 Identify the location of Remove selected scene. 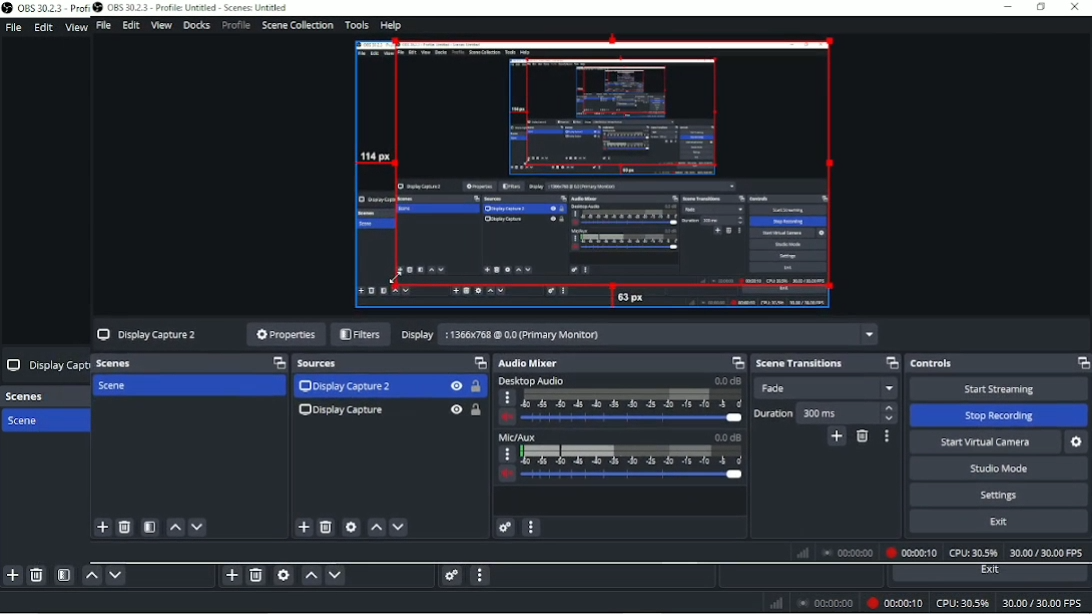
(37, 576).